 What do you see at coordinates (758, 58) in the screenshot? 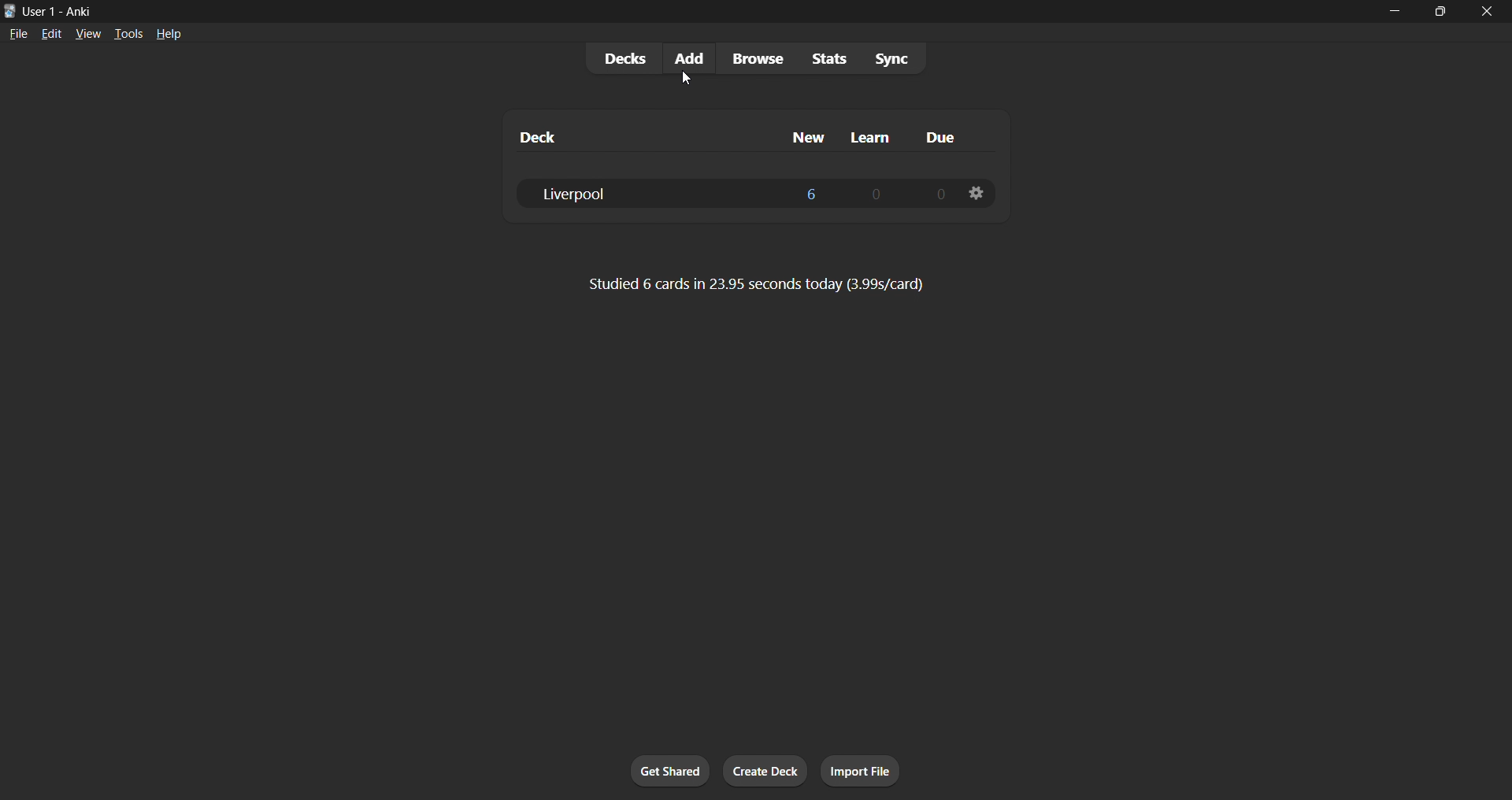
I see `browse` at bounding box center [758, 58].